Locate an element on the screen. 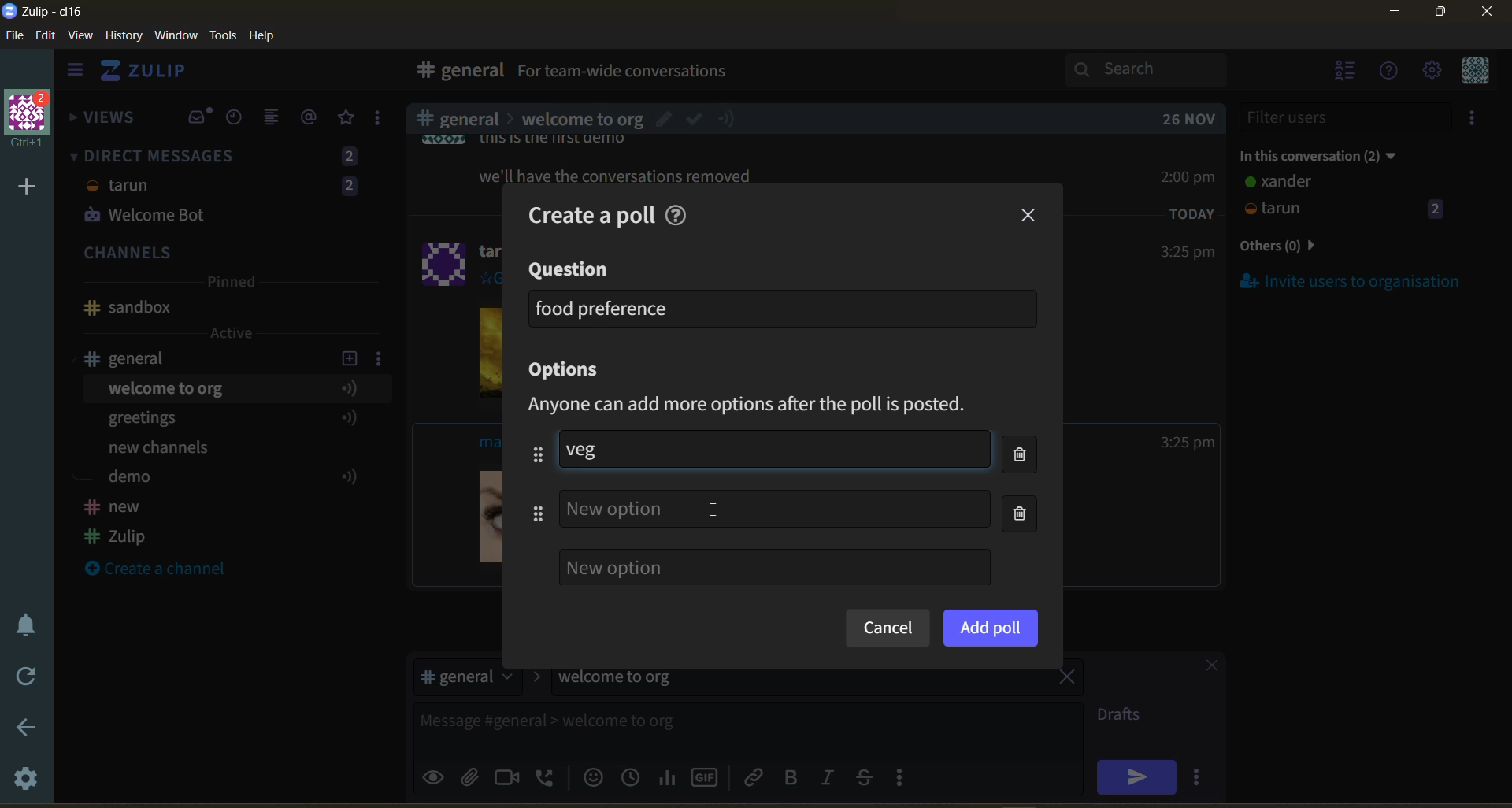 Image resolution: width=1512 pixels, height=808 pixels. topics is located at coordinates (228, 436).